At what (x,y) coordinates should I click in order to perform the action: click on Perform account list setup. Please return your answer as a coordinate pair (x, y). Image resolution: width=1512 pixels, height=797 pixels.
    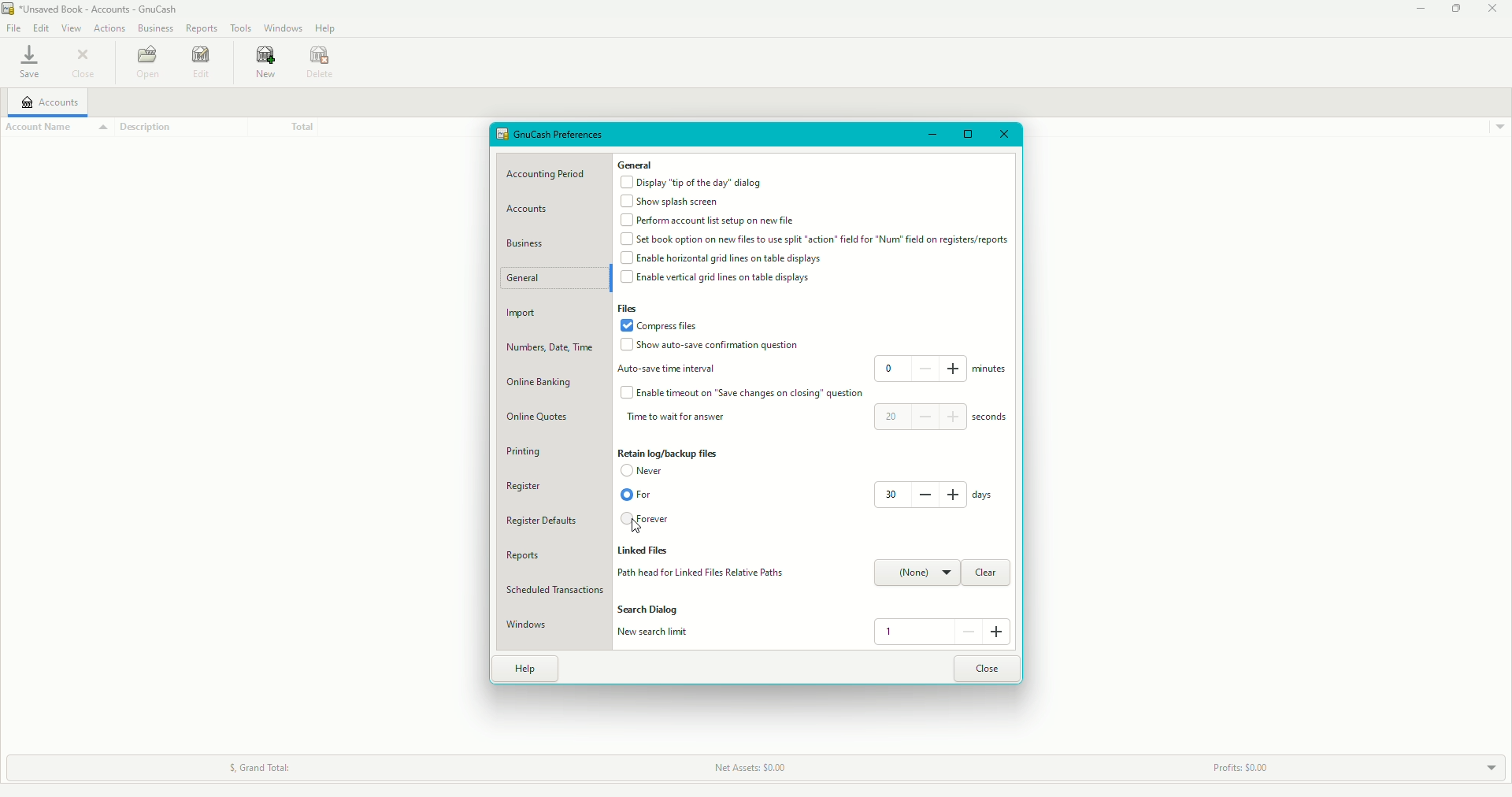
    Looking at the image, I should click on (708, 221).